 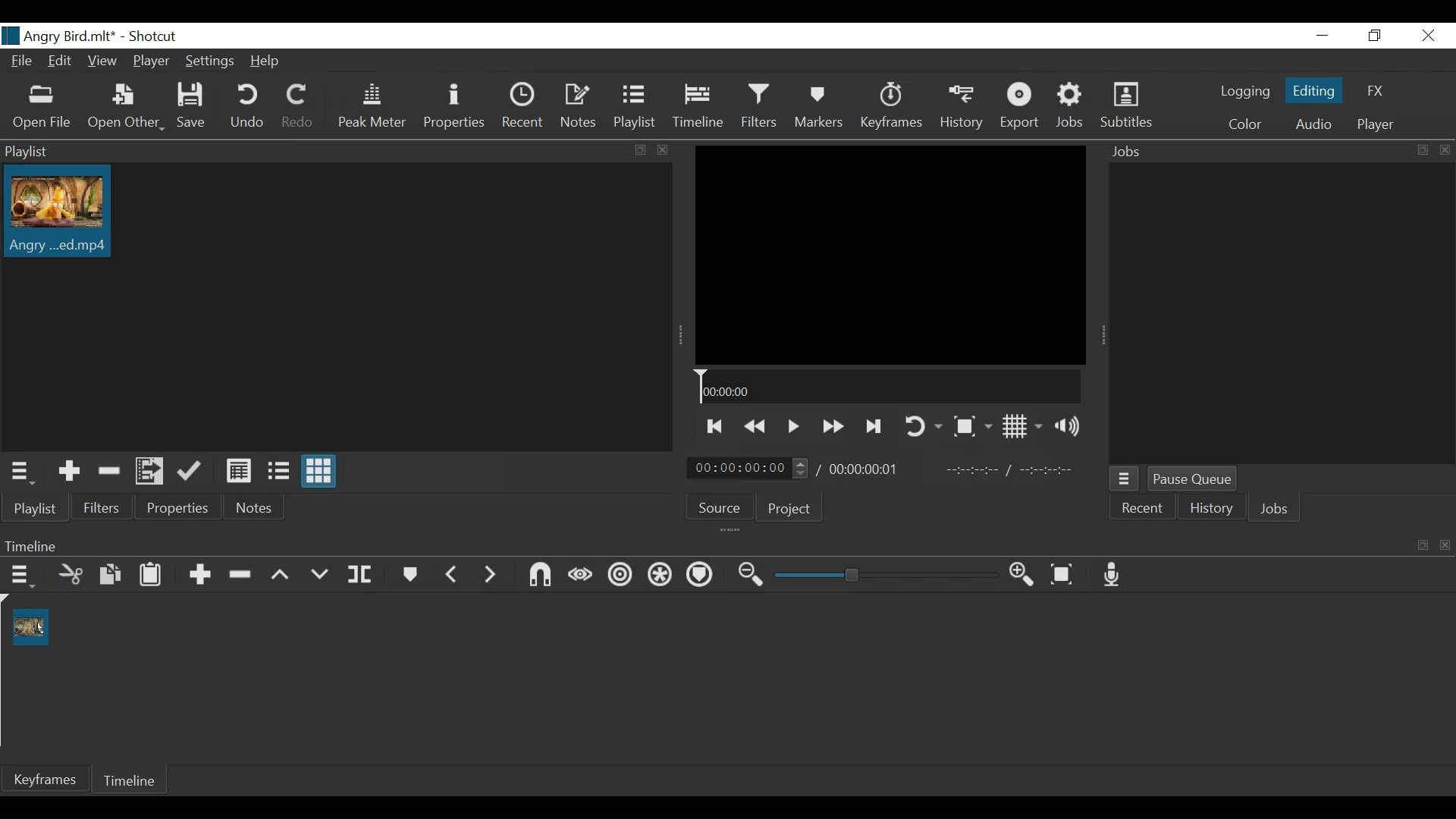 What do you see at coordinates (961, 107) in the screenshot?
I see `History` at bounding box center [961, 107].